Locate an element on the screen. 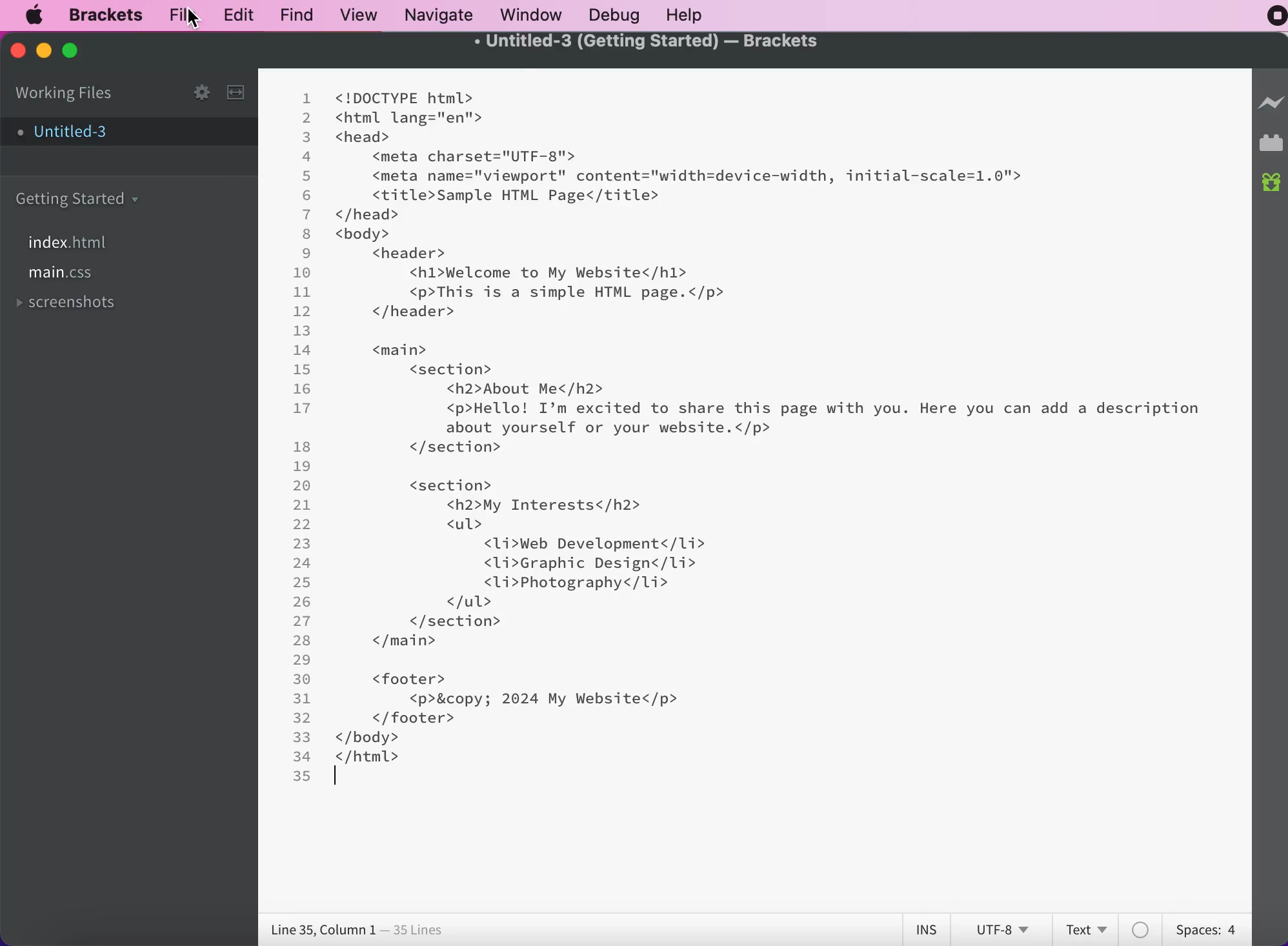 The height and width of the screenshot is (946, 1288). utf-8 is located at coordinates (1004, 928).